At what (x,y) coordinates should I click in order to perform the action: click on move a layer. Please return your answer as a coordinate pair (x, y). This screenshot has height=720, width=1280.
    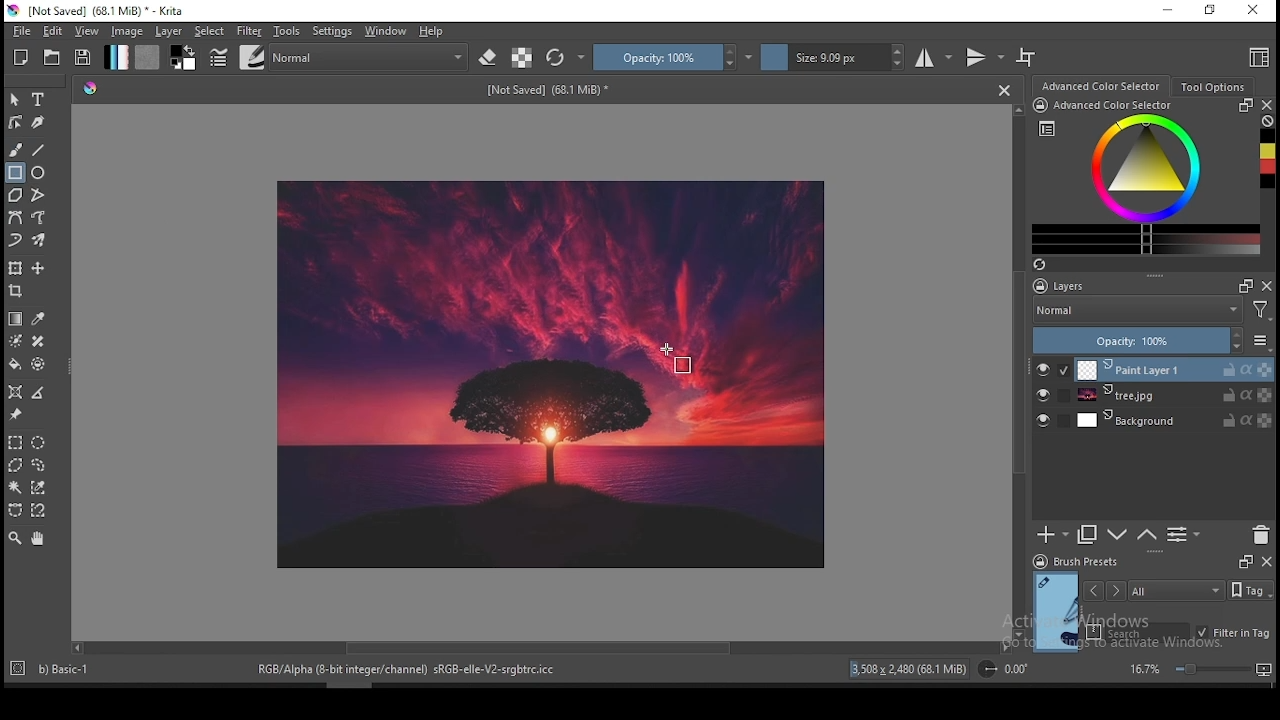
    Looking at the image, I should click on (38, 269).